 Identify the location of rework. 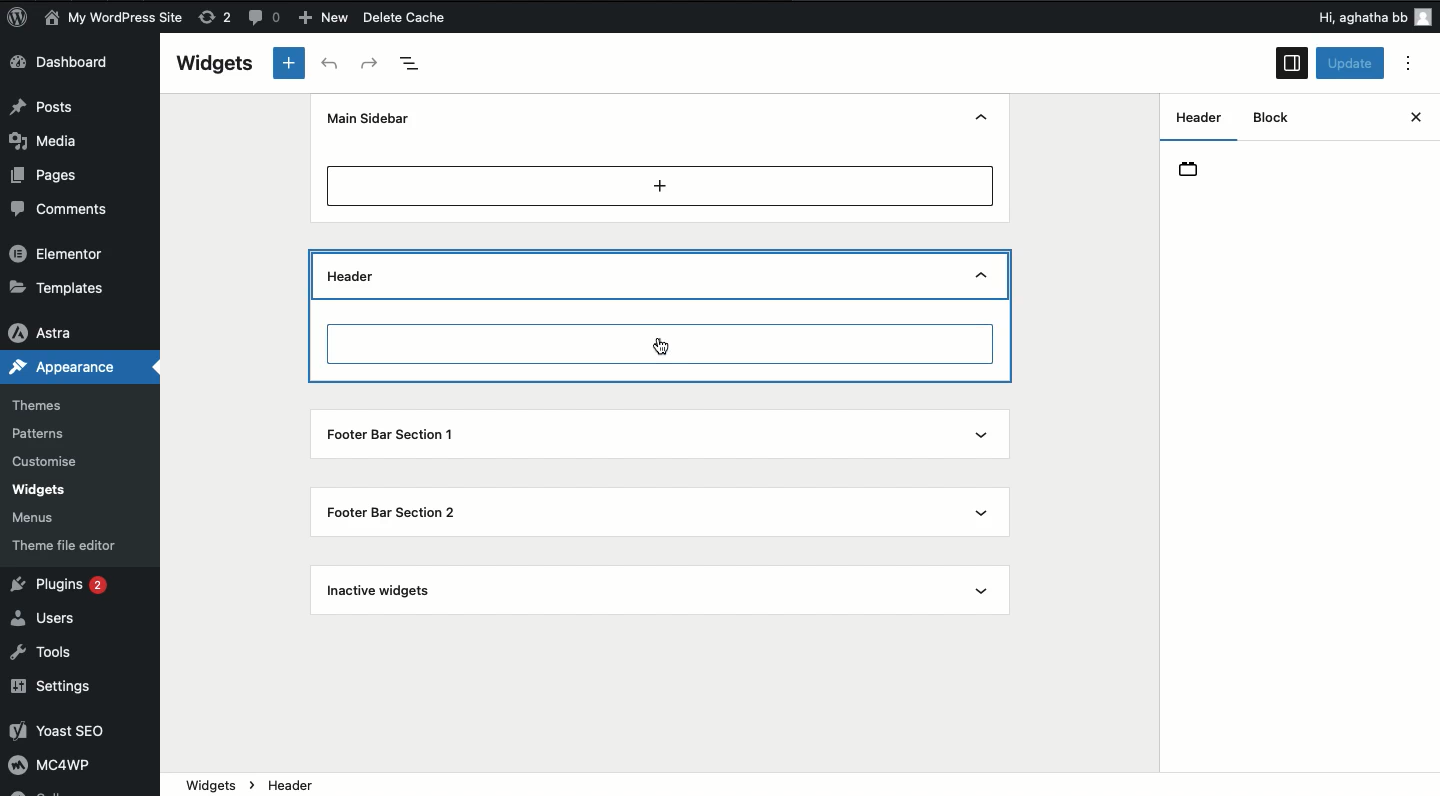
(218, 20).